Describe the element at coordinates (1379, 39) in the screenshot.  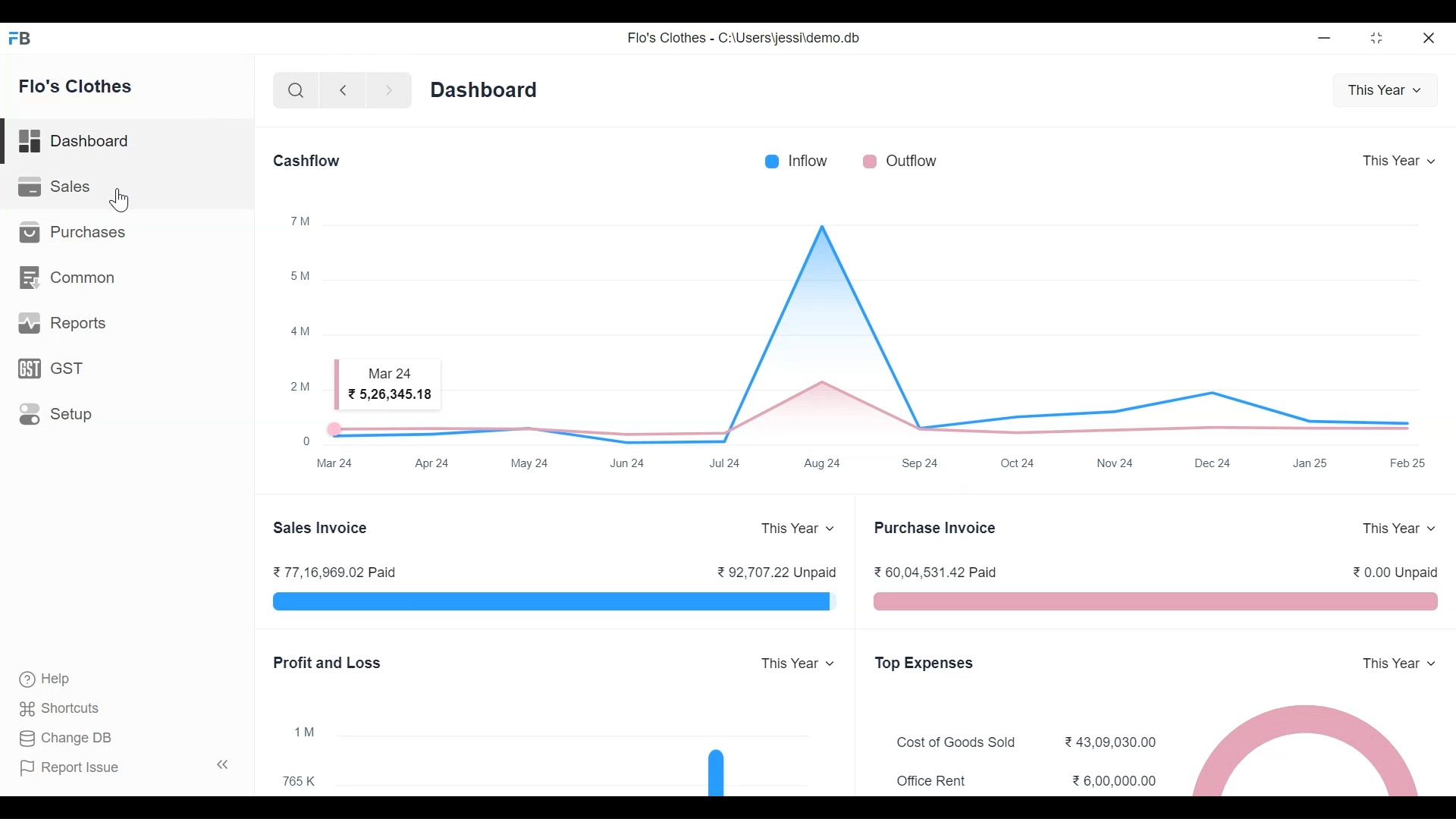
I see `Restore` at that location.